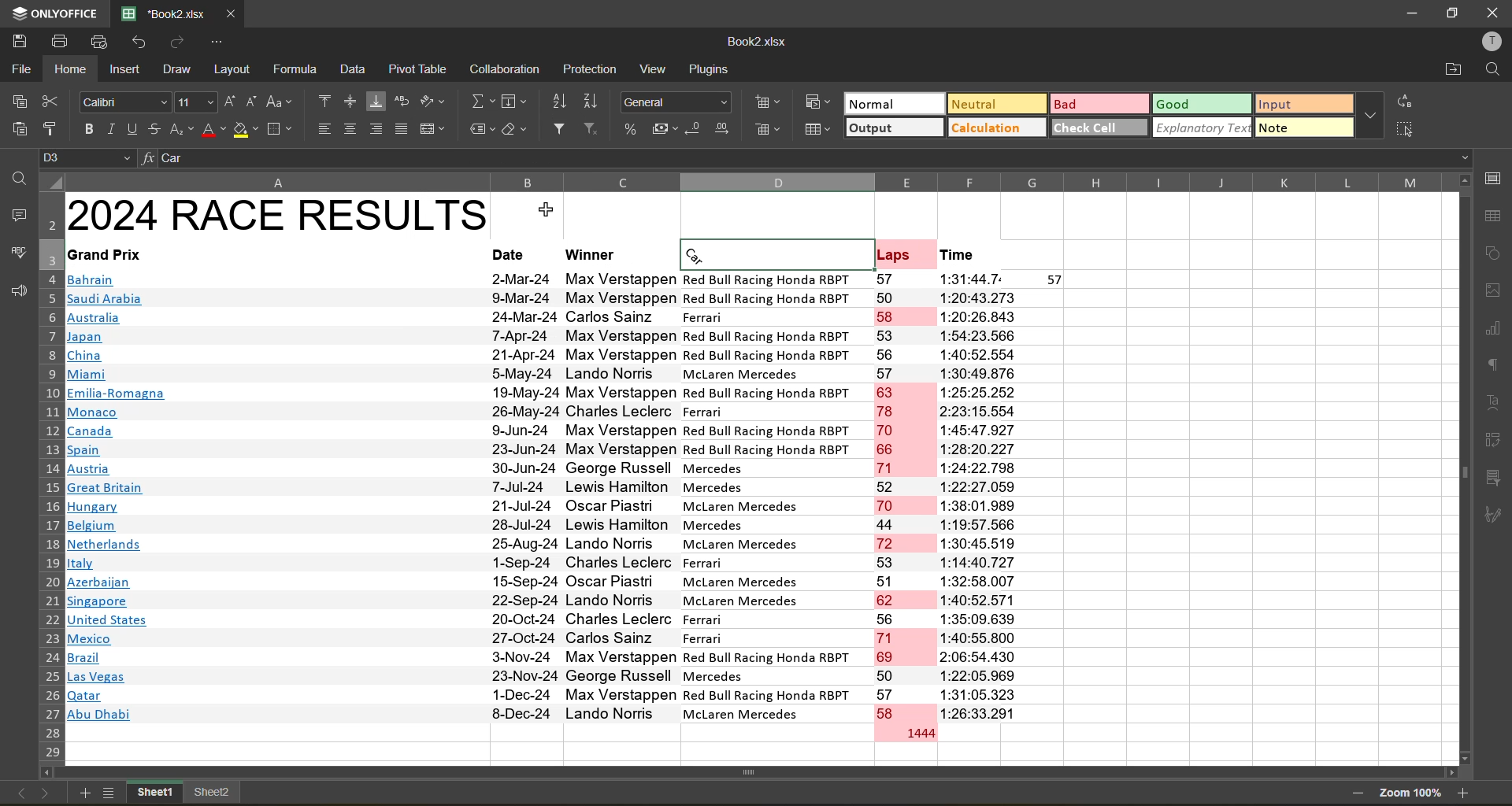 The image size is (1512, 806). Describe the element at coordinates (102, 40) in the screenshot. I see `quick print` at that location.